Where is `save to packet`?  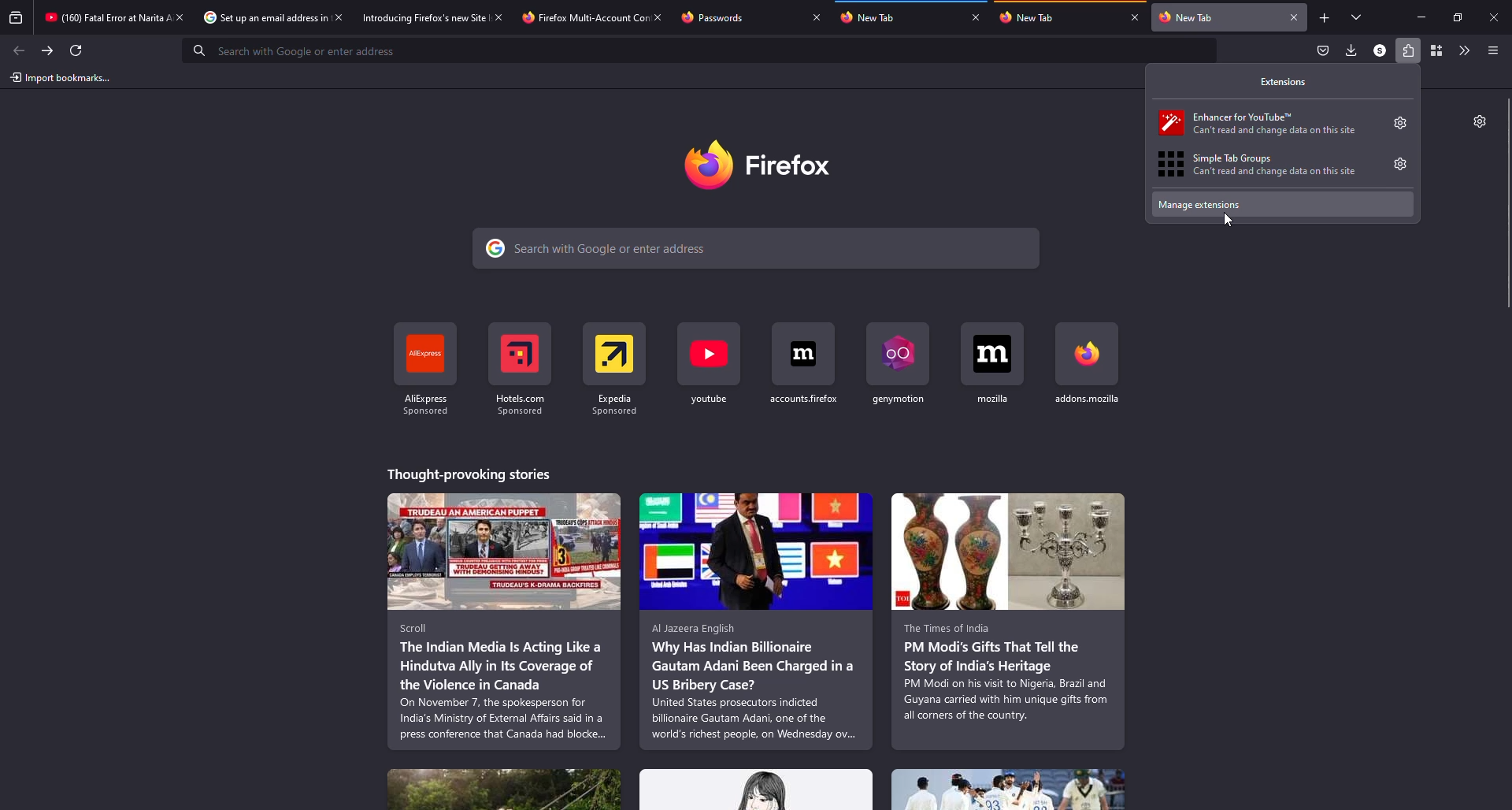 save to packet is located at coordinates (1324, 50).